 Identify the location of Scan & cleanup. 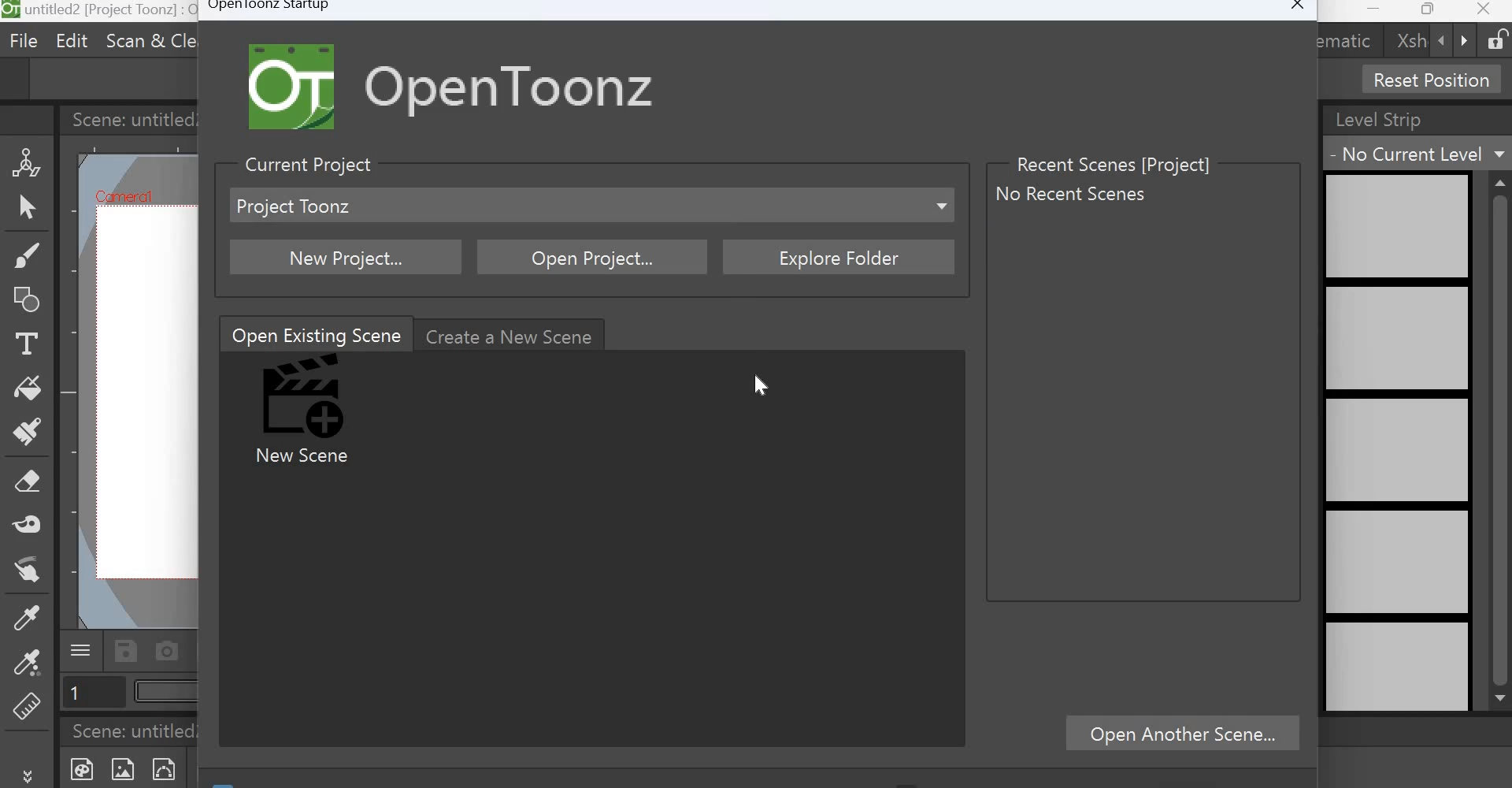
(149, 39).